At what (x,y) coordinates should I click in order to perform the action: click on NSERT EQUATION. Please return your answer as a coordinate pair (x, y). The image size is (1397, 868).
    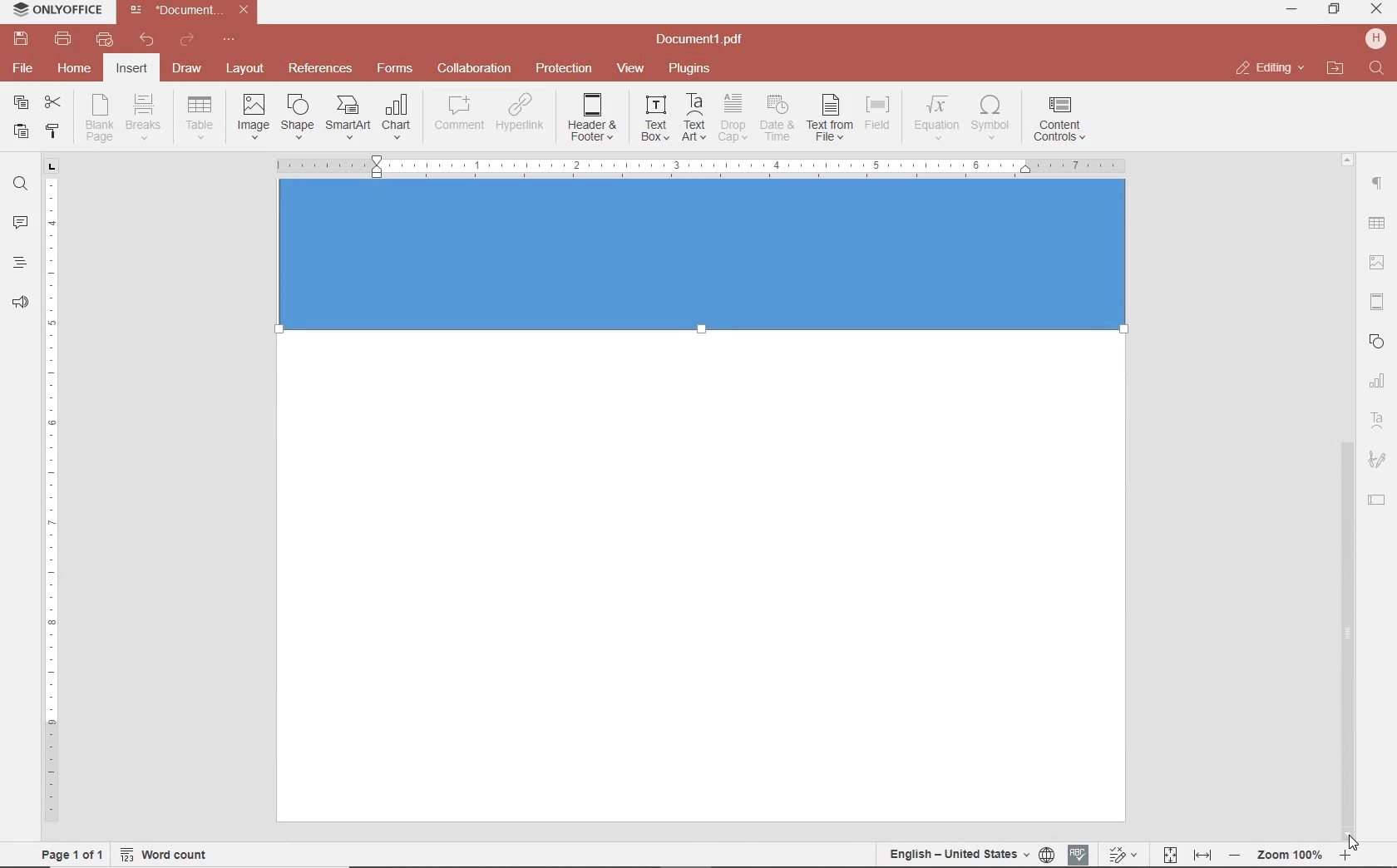
    Looking at the image, I should click on (935, 116).